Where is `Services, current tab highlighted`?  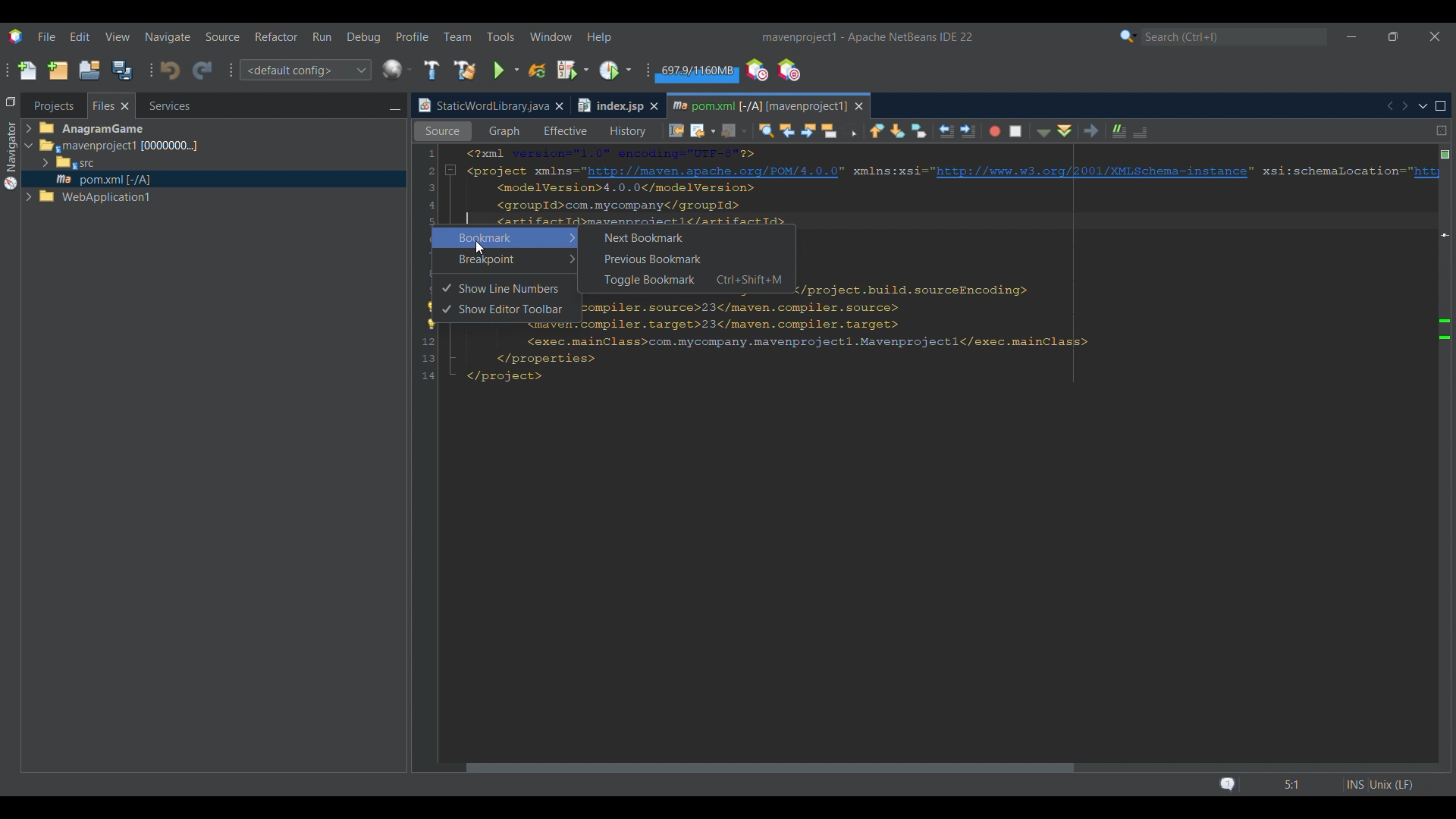 Services, current tab highlighted is located at coordinates (162, 105).